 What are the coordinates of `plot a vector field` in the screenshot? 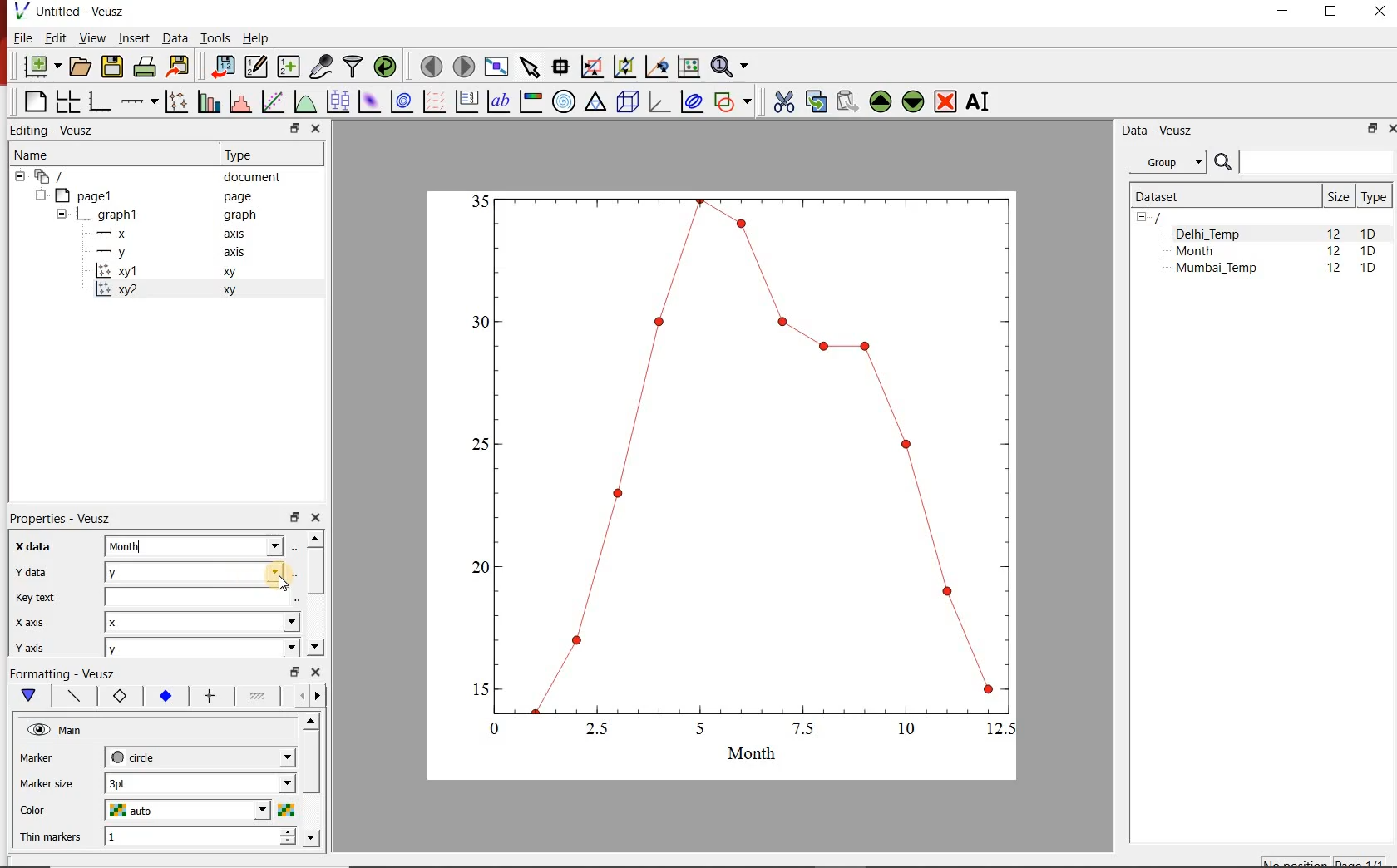 It's located at (433, 102).